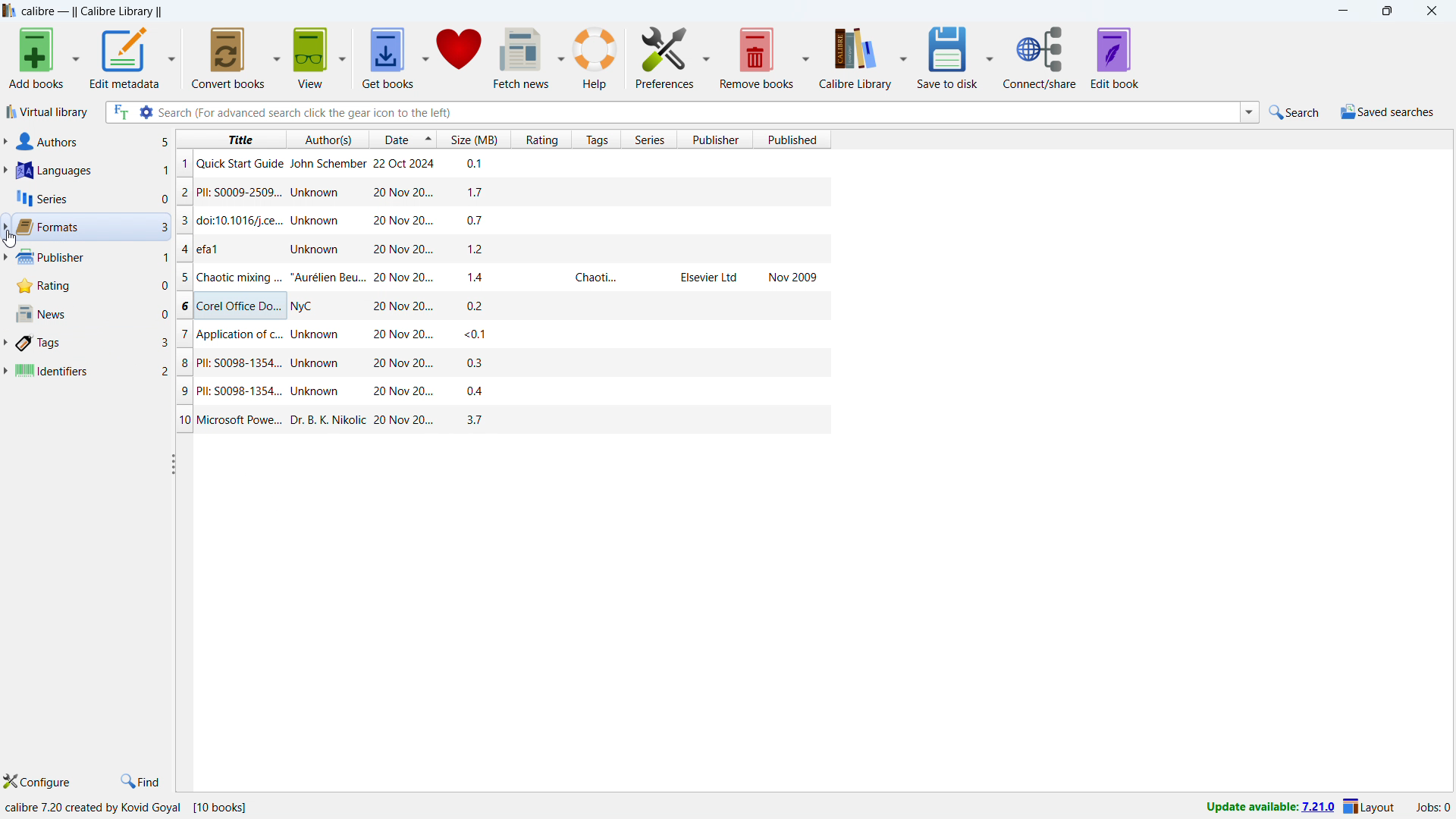 Image resolution: width=1456 pixels, height=819 pixels. I want to click on publisher, so click(92, 257).